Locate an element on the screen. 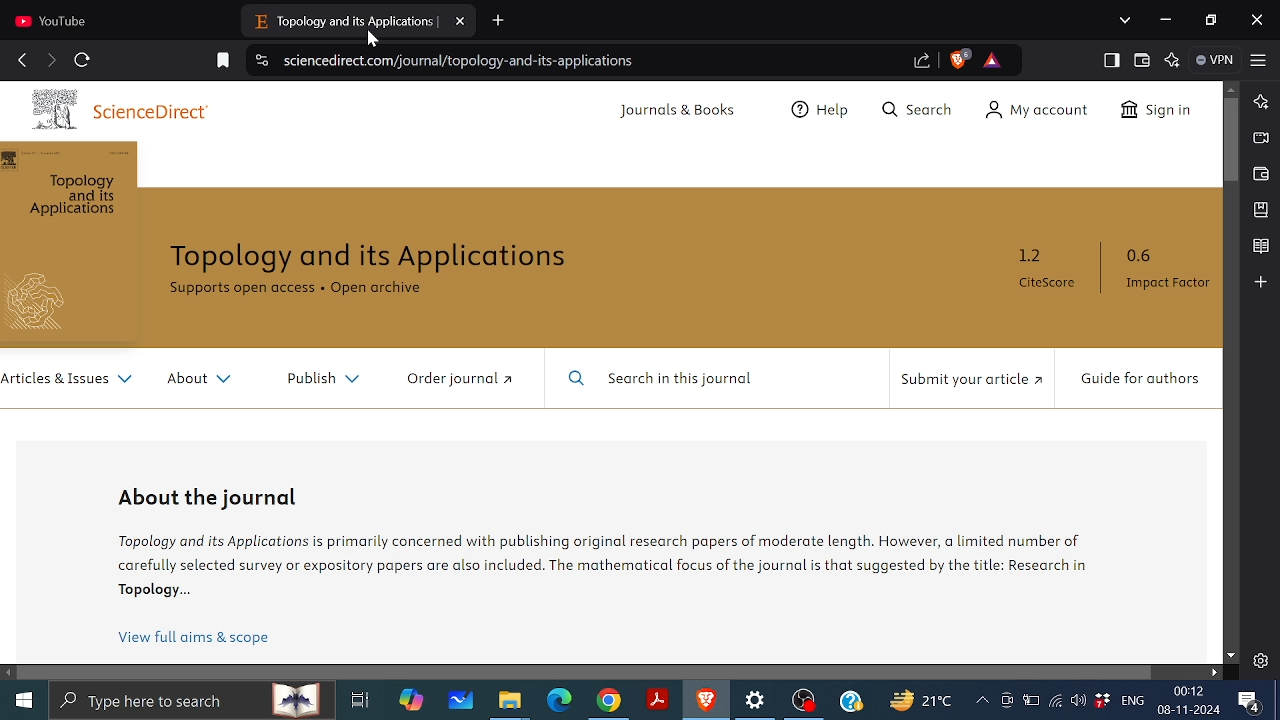  Web address of the current page is located at coordinates (465, 61).